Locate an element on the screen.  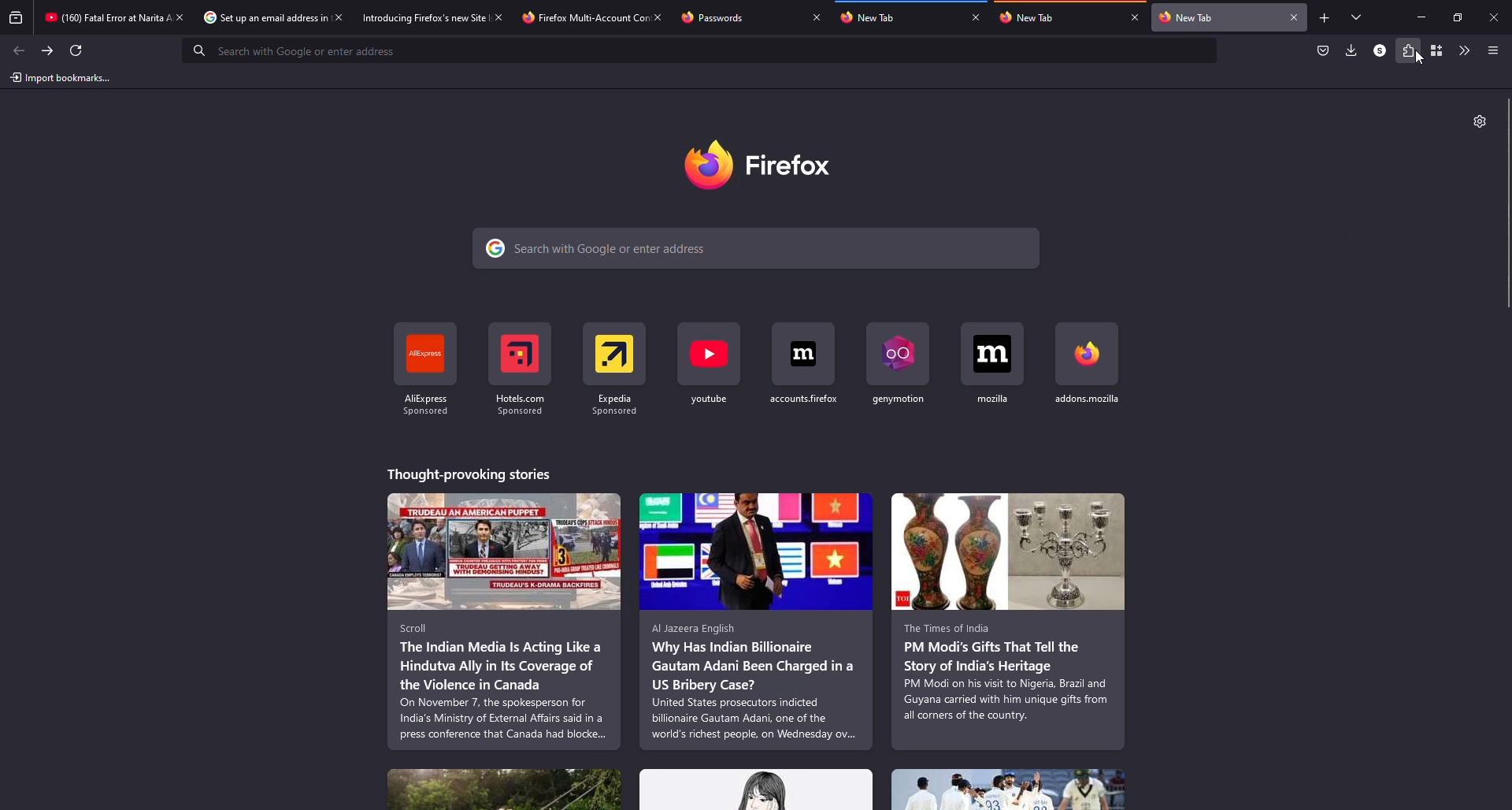
search is located at coordinates (752, 248).